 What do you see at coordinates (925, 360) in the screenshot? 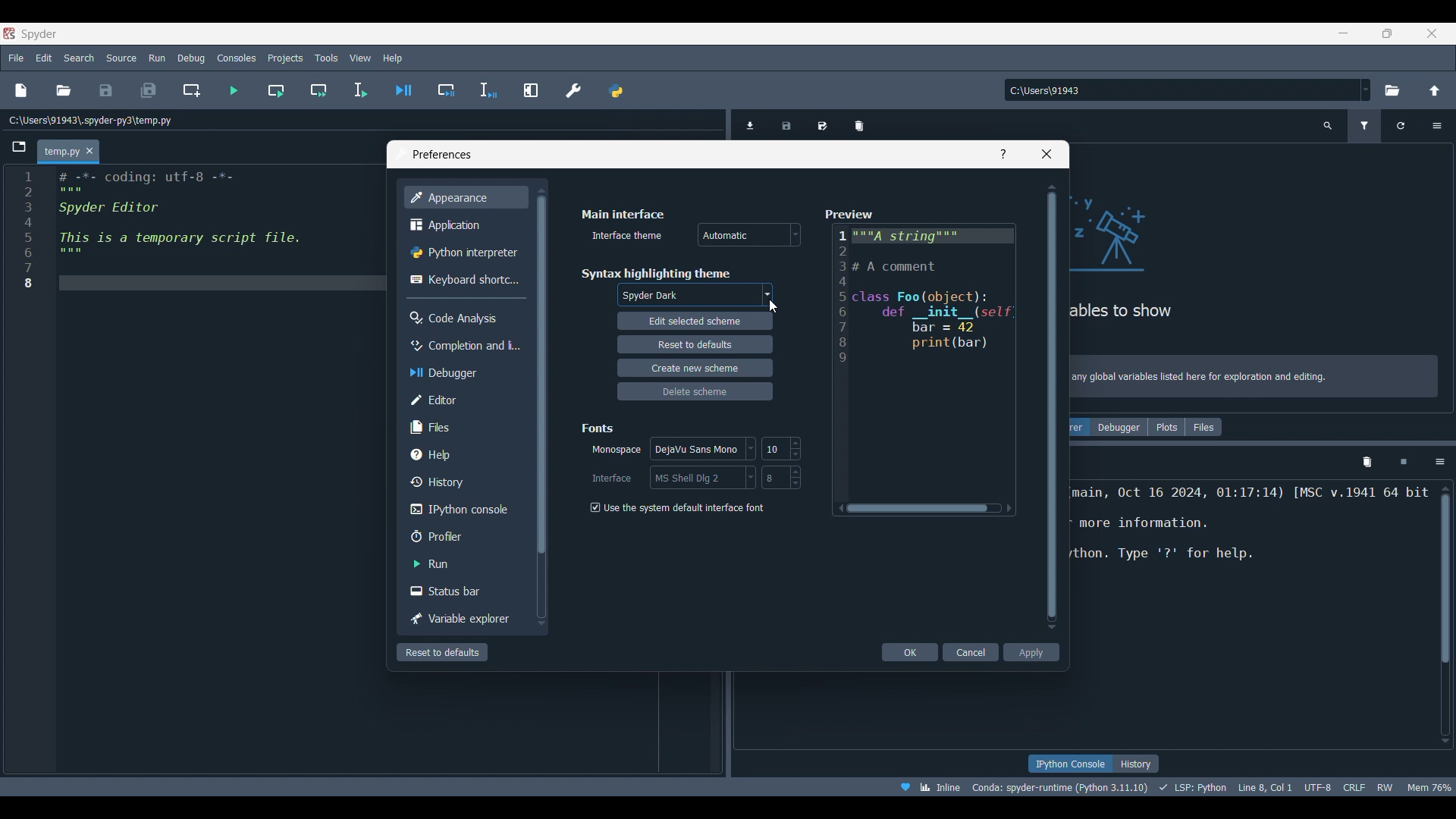
I see `Preview` at bounding box center [925, 360].